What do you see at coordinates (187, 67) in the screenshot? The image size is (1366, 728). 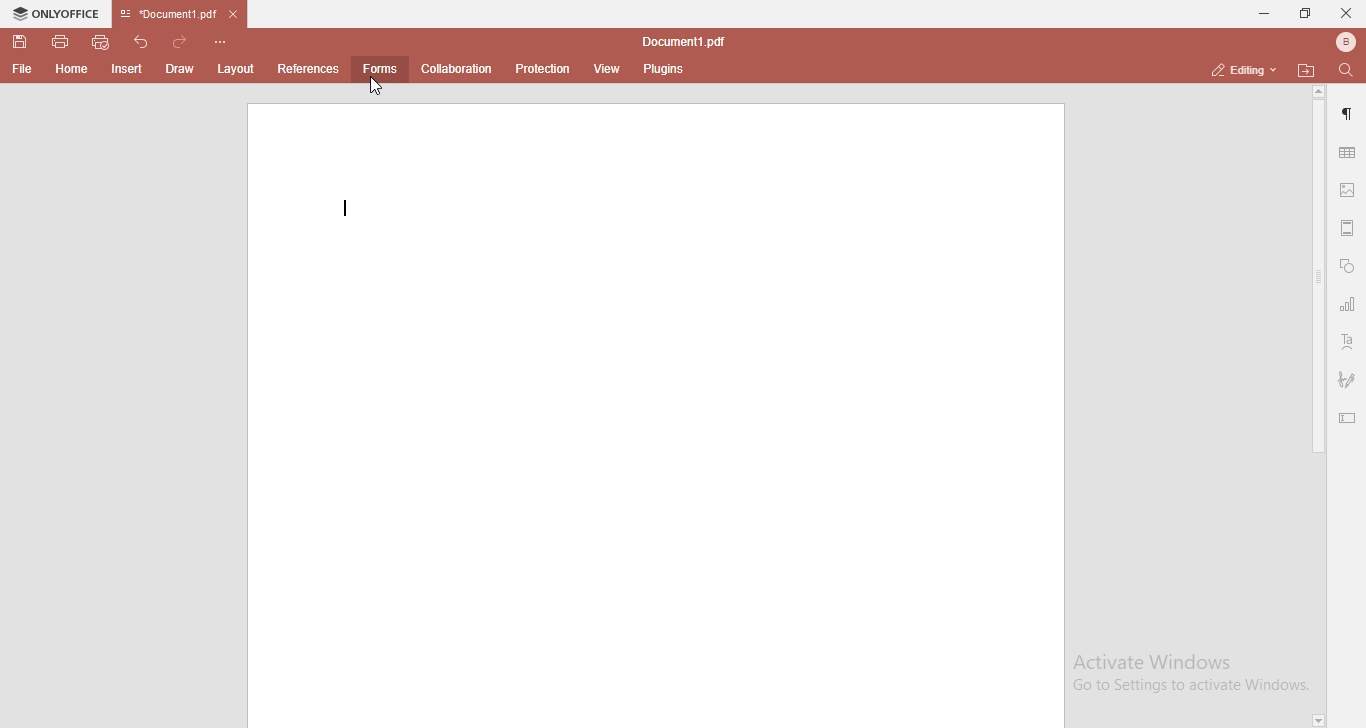 I see `draw` at bounding box center [187, 67].